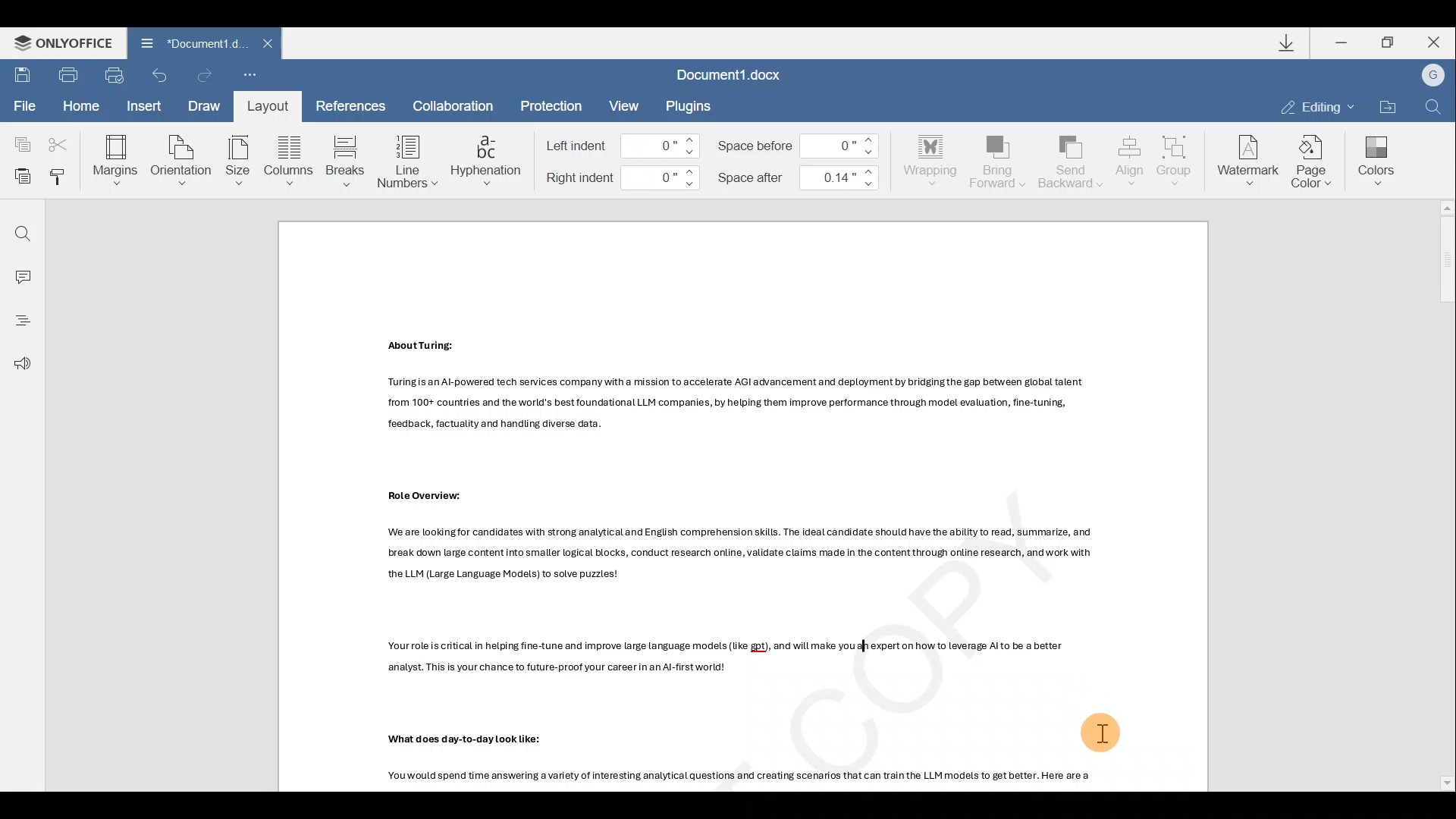 The height and width of the screenshot is (819, 1456). I want to click on , so click(729, 658).